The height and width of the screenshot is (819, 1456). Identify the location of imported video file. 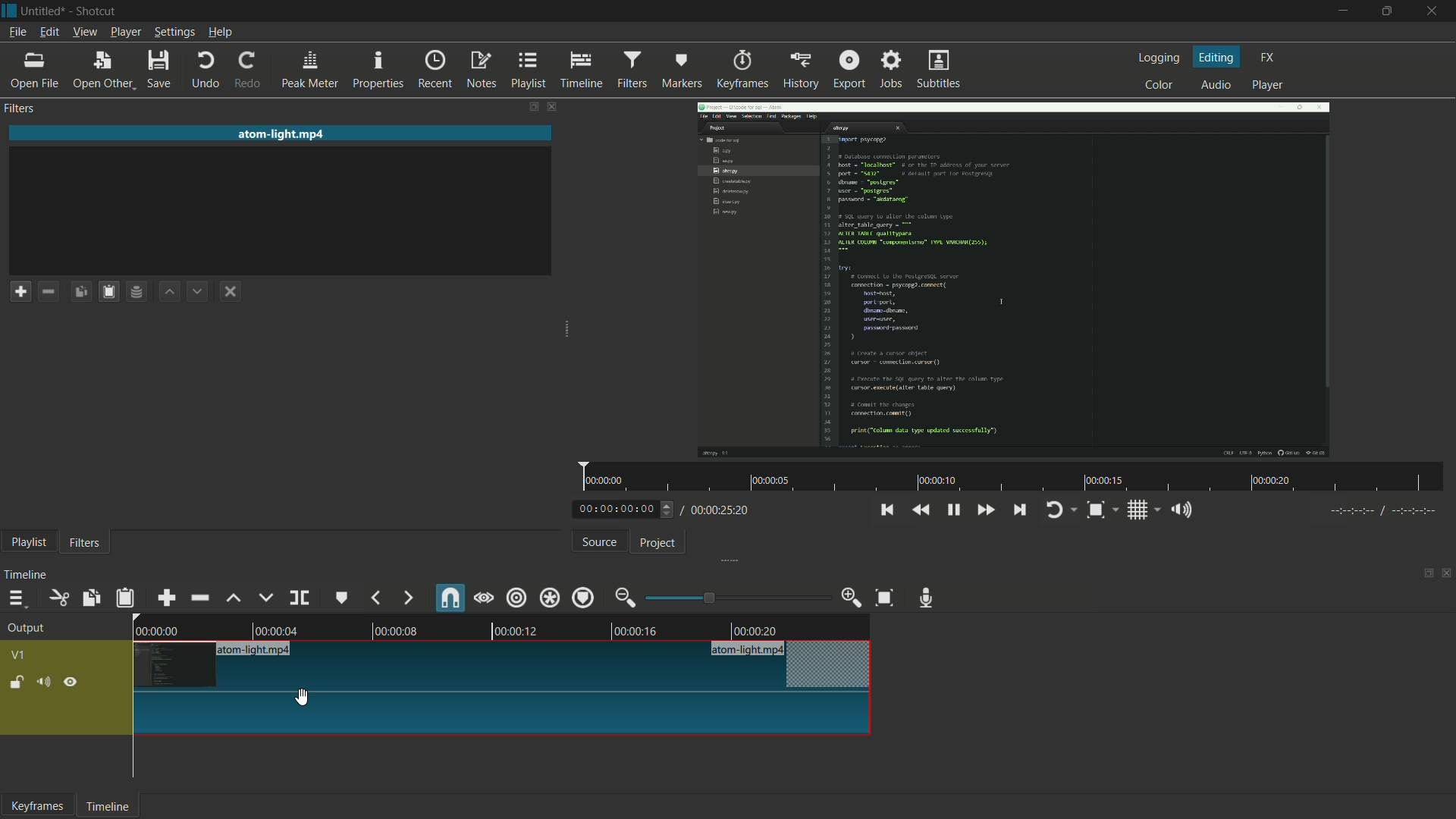
(1015, 278).